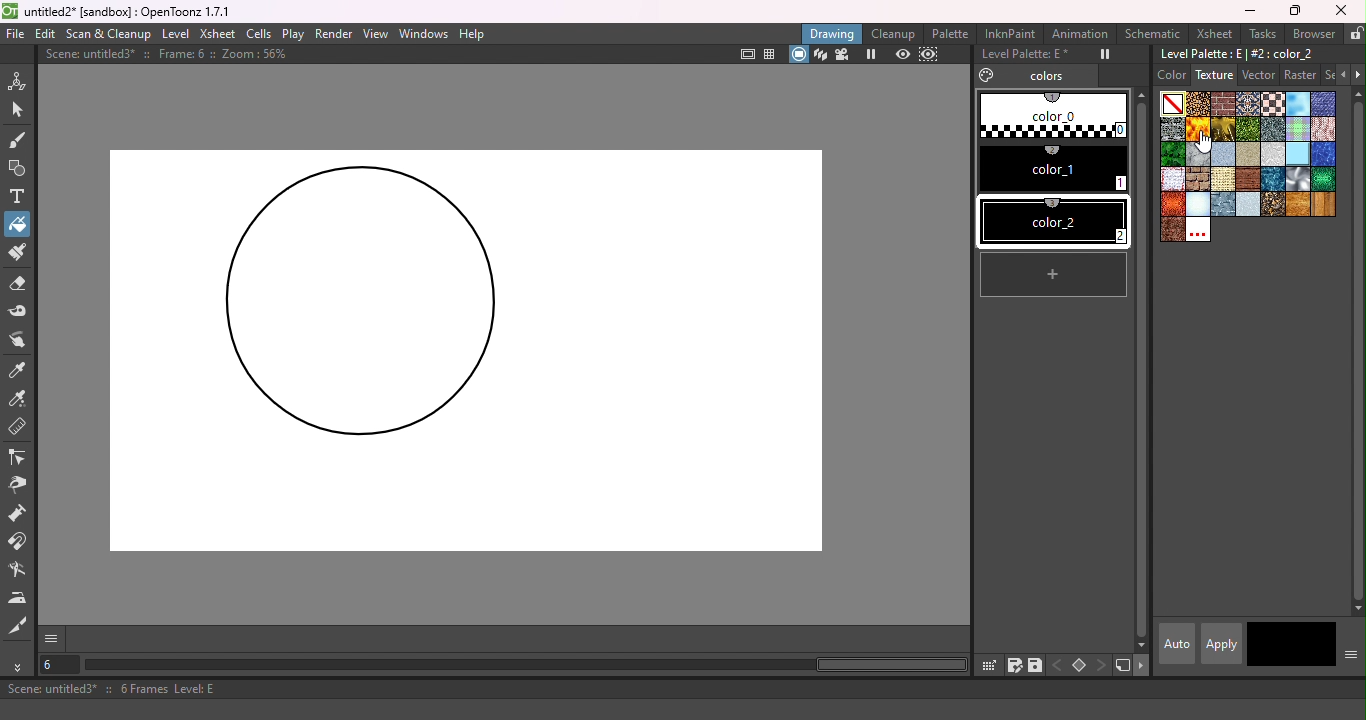 The image size is (1366, 720). What do you see at coordinates (258, 34) in the screenshot?
I see `Cells` at bounding box center [258, 34].